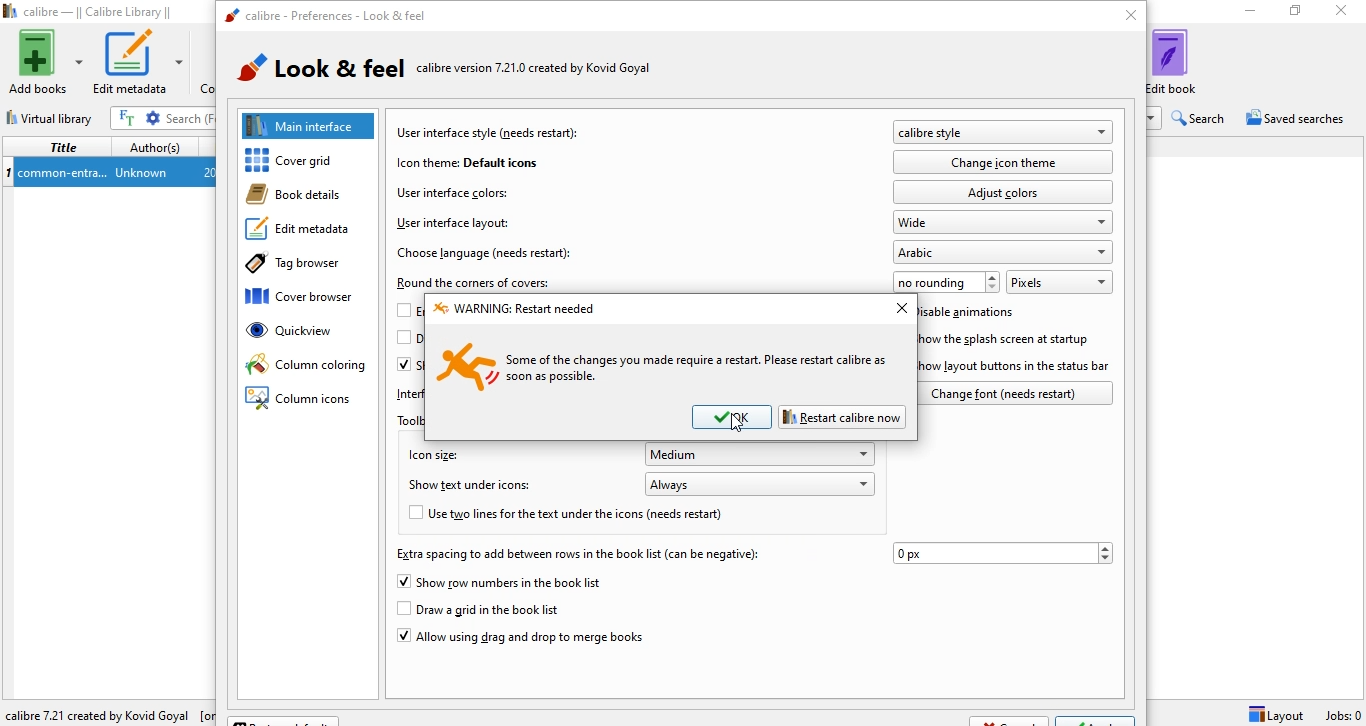  Describe the element at coordinates (947, 281) in the screenshot. I see `no rounding` at that location.